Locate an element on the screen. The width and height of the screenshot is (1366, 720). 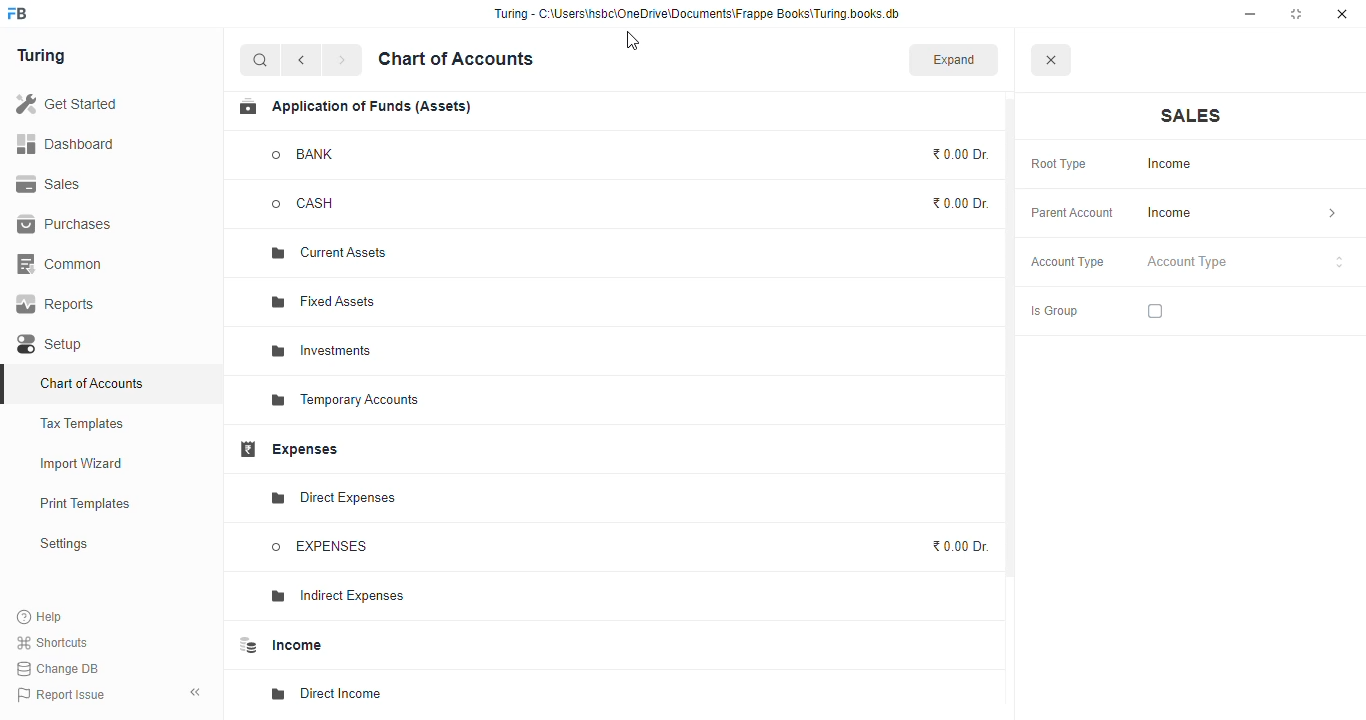
tax templates is located at coordinates (83, 423).